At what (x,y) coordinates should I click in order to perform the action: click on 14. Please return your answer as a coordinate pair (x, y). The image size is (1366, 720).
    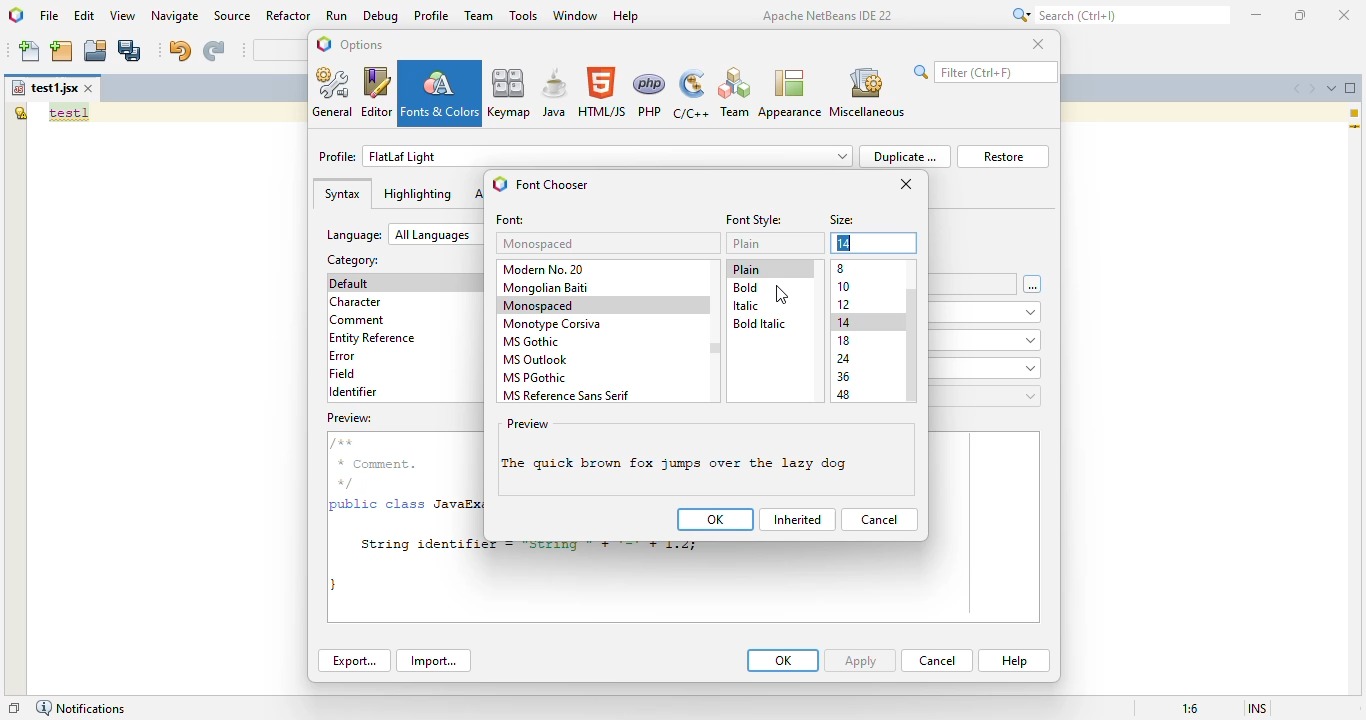
    Looking at the image, I should click on (846, 323).